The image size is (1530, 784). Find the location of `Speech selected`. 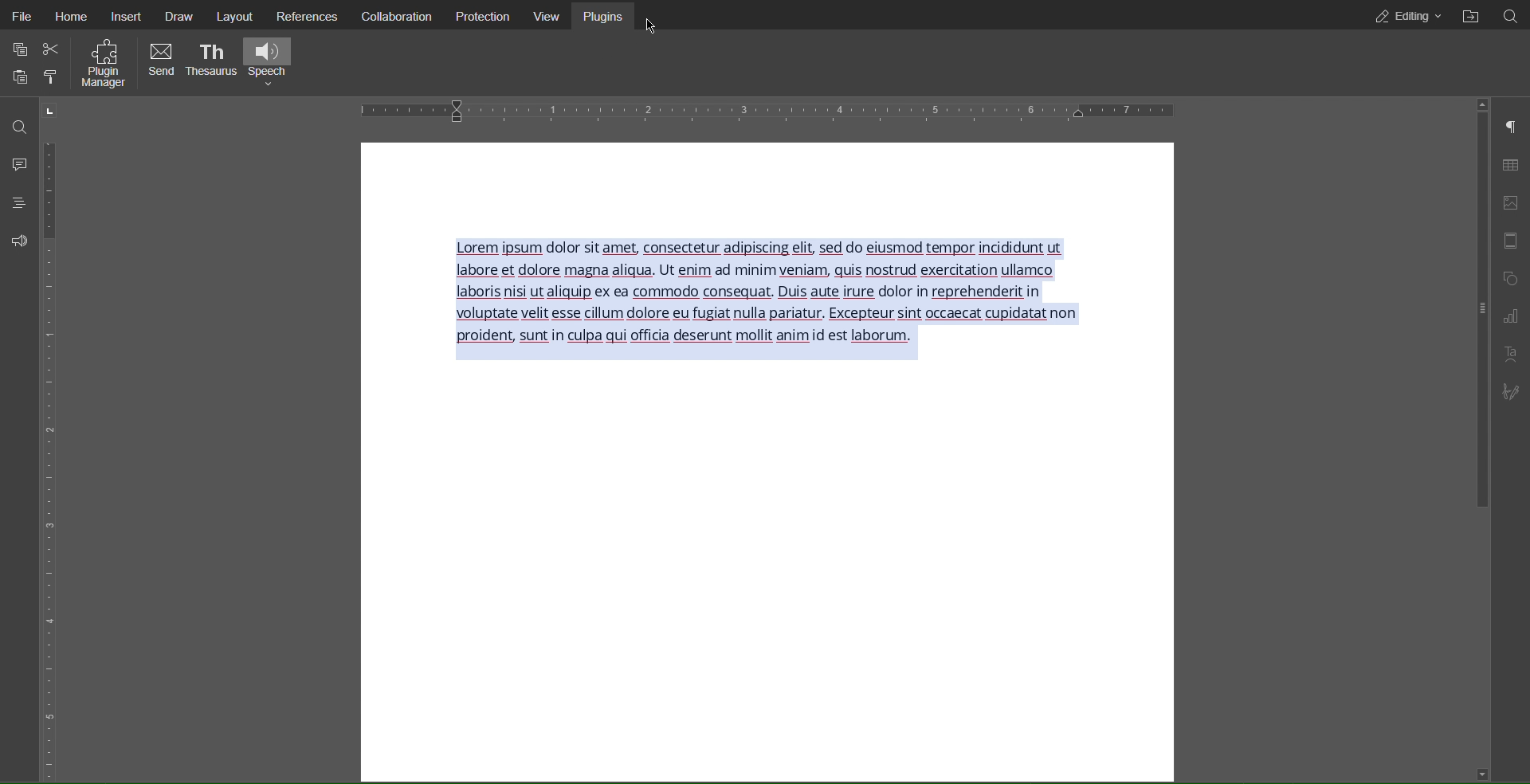

Speech selected is located at coordinates (272, 60).